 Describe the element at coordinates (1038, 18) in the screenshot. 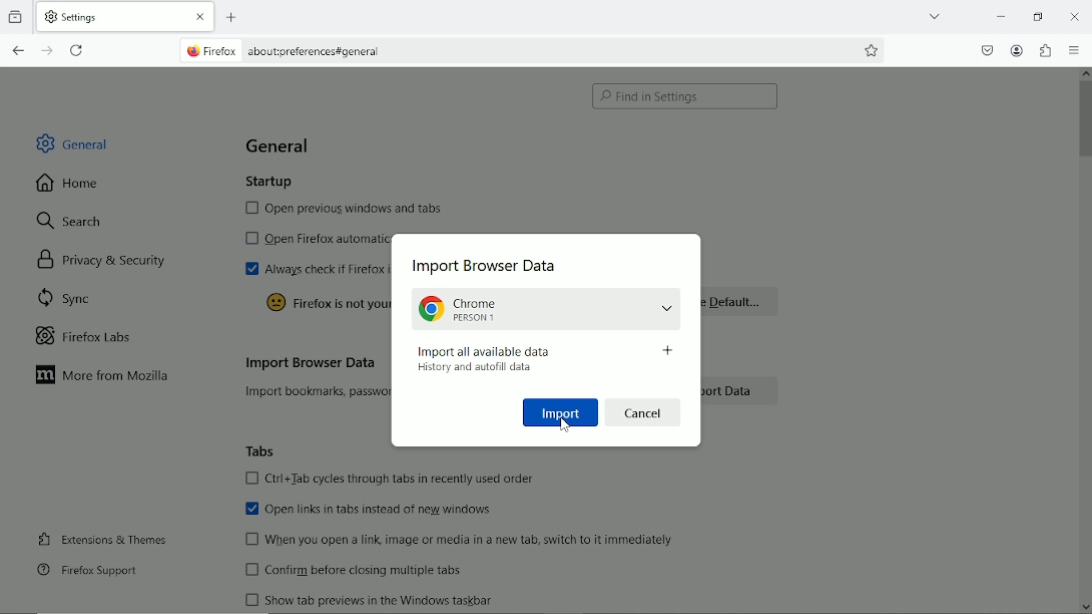

I see `Restore down` at that location.